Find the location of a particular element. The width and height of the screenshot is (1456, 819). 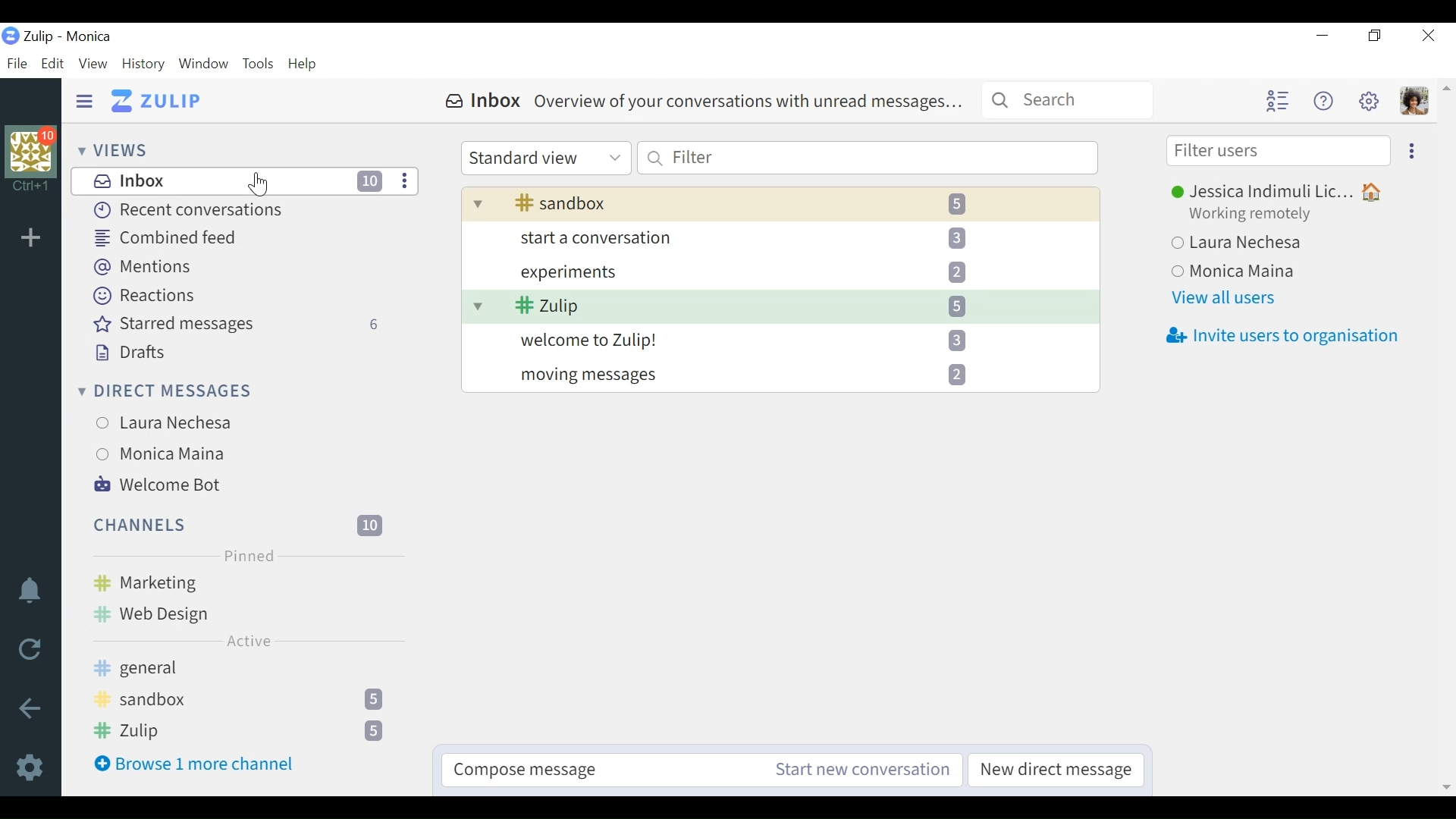

Go back is located at coordinates (33, 708).